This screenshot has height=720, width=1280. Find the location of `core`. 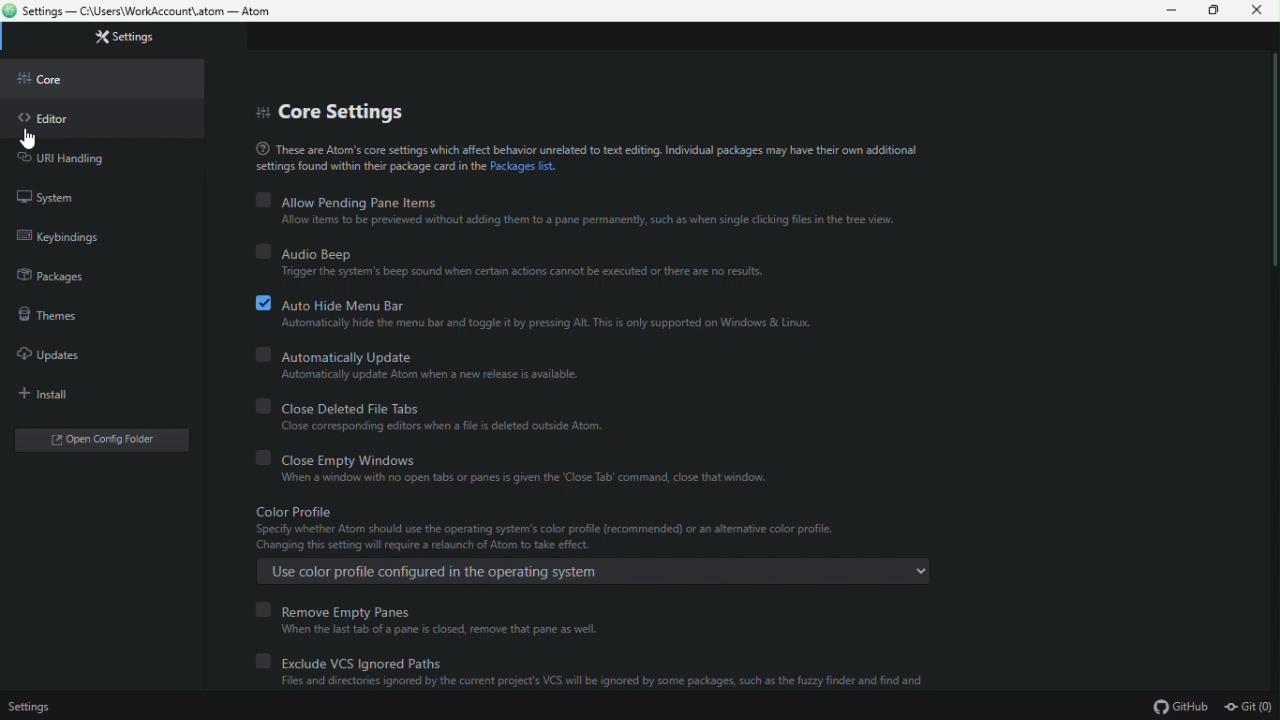

core is located at coordinates (51, 84).